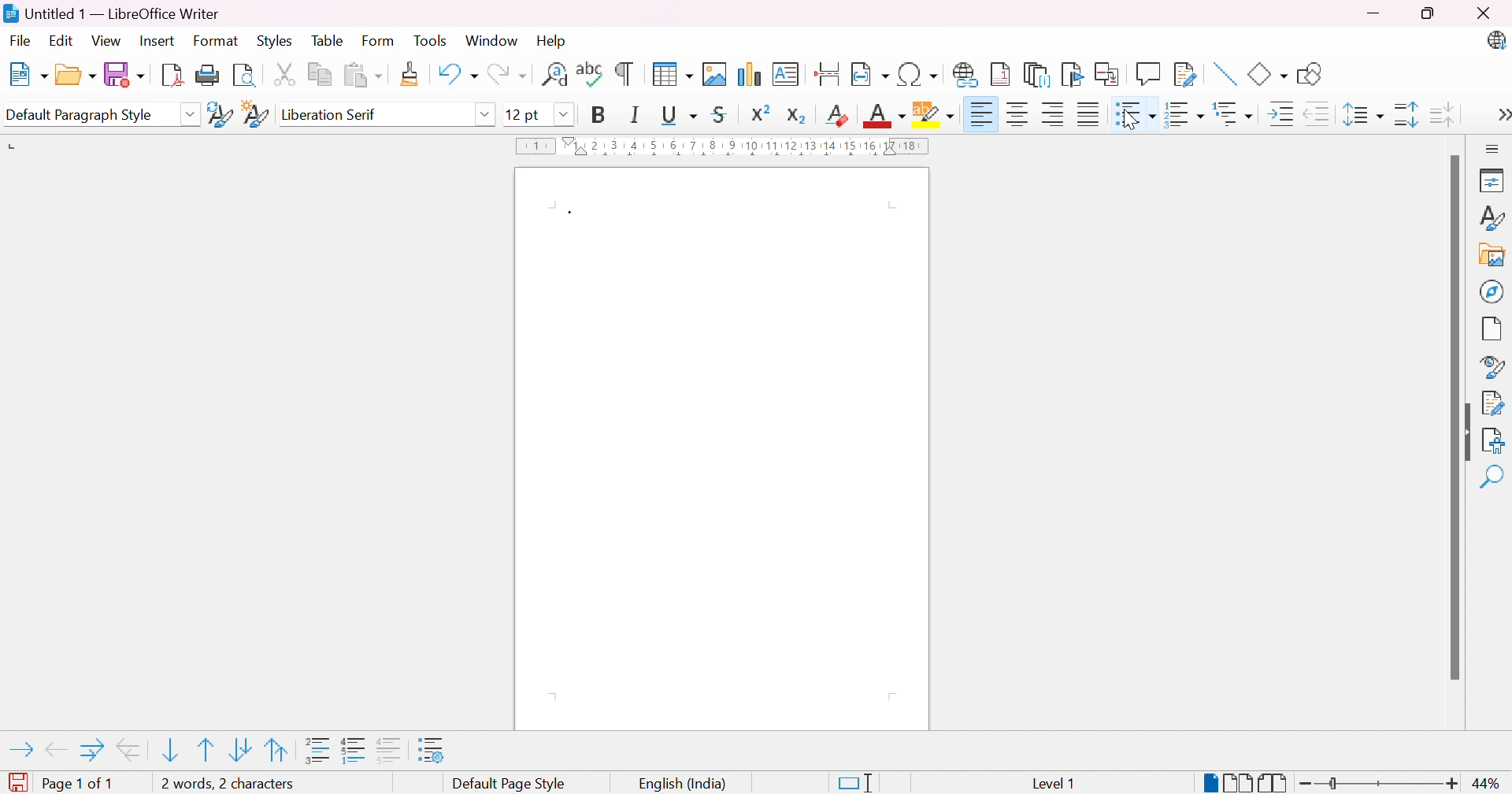 The height and width of the screenshot is (794, 1512). Describe the element at coordinates (22, 750) in the screenshot. I see `Demote outline level` at that location.